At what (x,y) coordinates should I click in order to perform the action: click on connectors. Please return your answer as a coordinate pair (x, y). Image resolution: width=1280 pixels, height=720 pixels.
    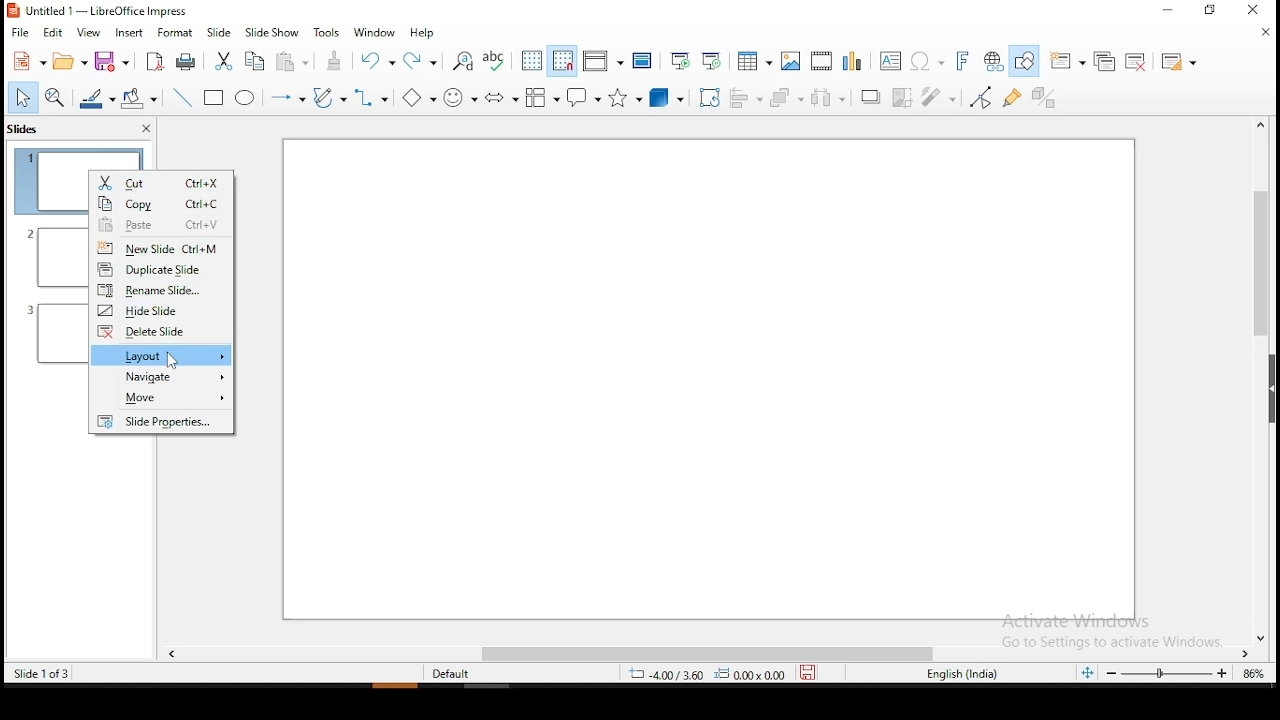
    Looking at the image, I should click on (370, 99).